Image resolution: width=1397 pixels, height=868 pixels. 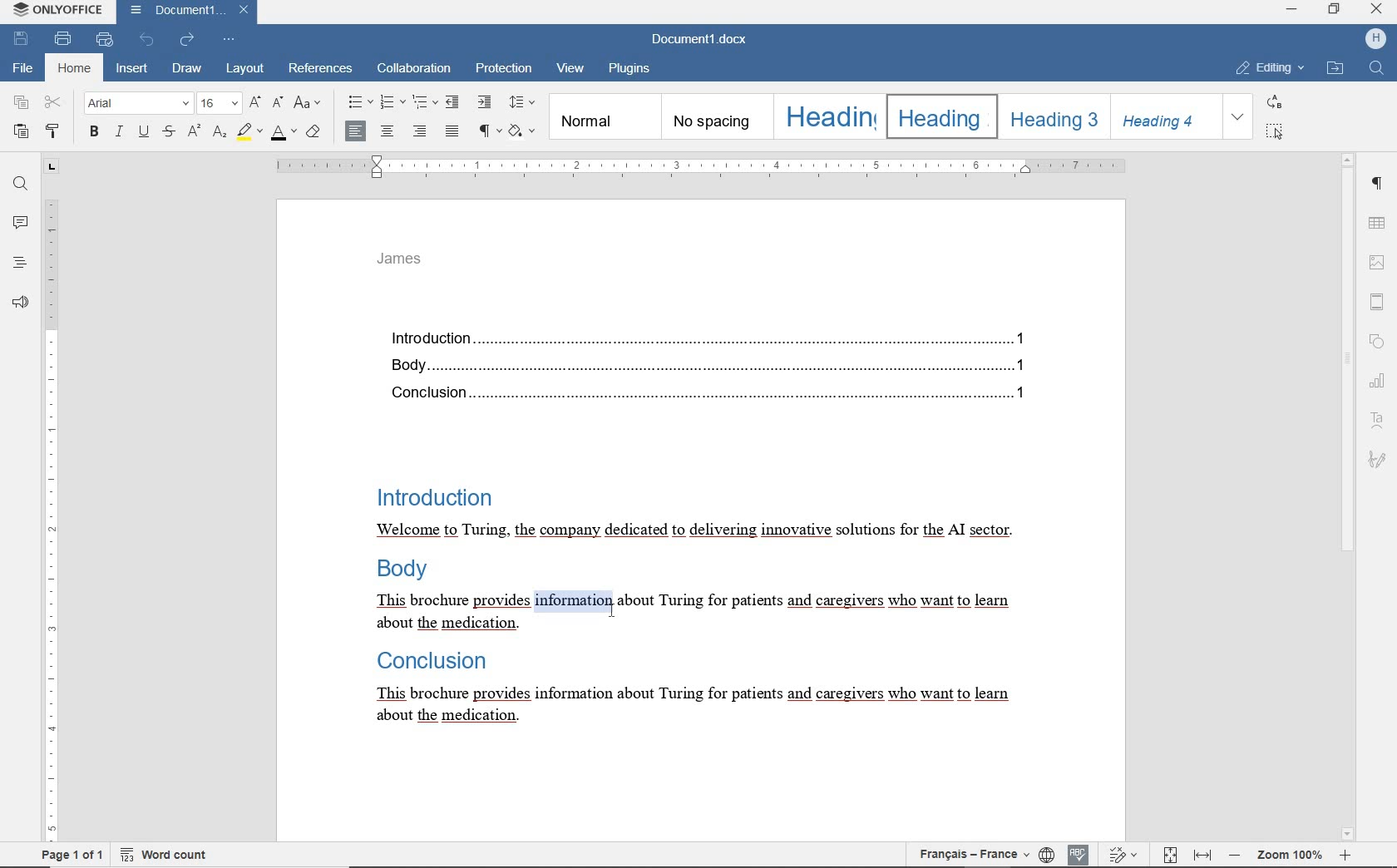 What do you see at coordinates (24, 70) in the screenshot?
I see `FILE` at bounding box center [24, 70].